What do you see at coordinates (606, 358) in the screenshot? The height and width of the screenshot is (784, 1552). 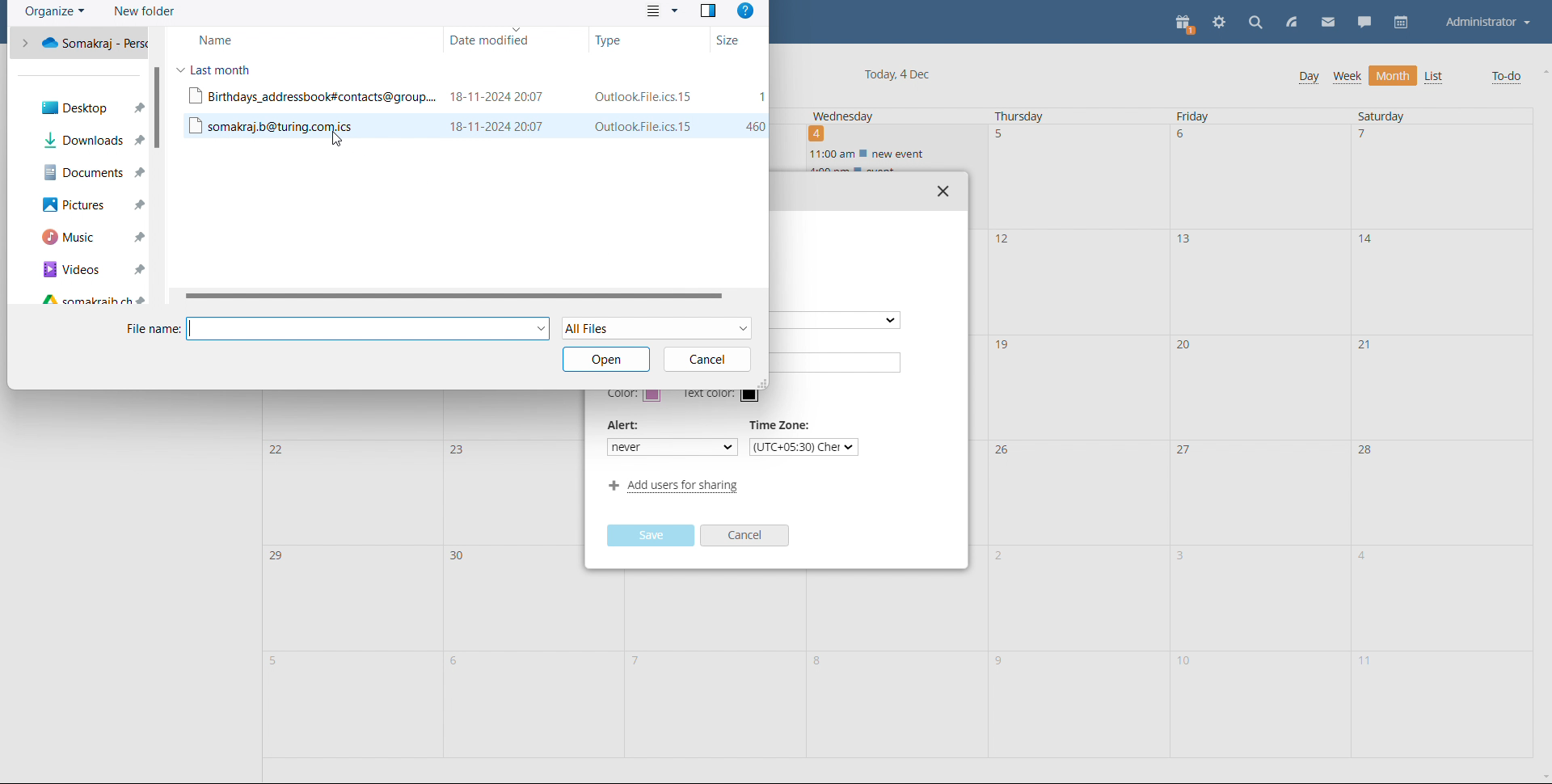 I see `open` at bounding box center [606, 358].